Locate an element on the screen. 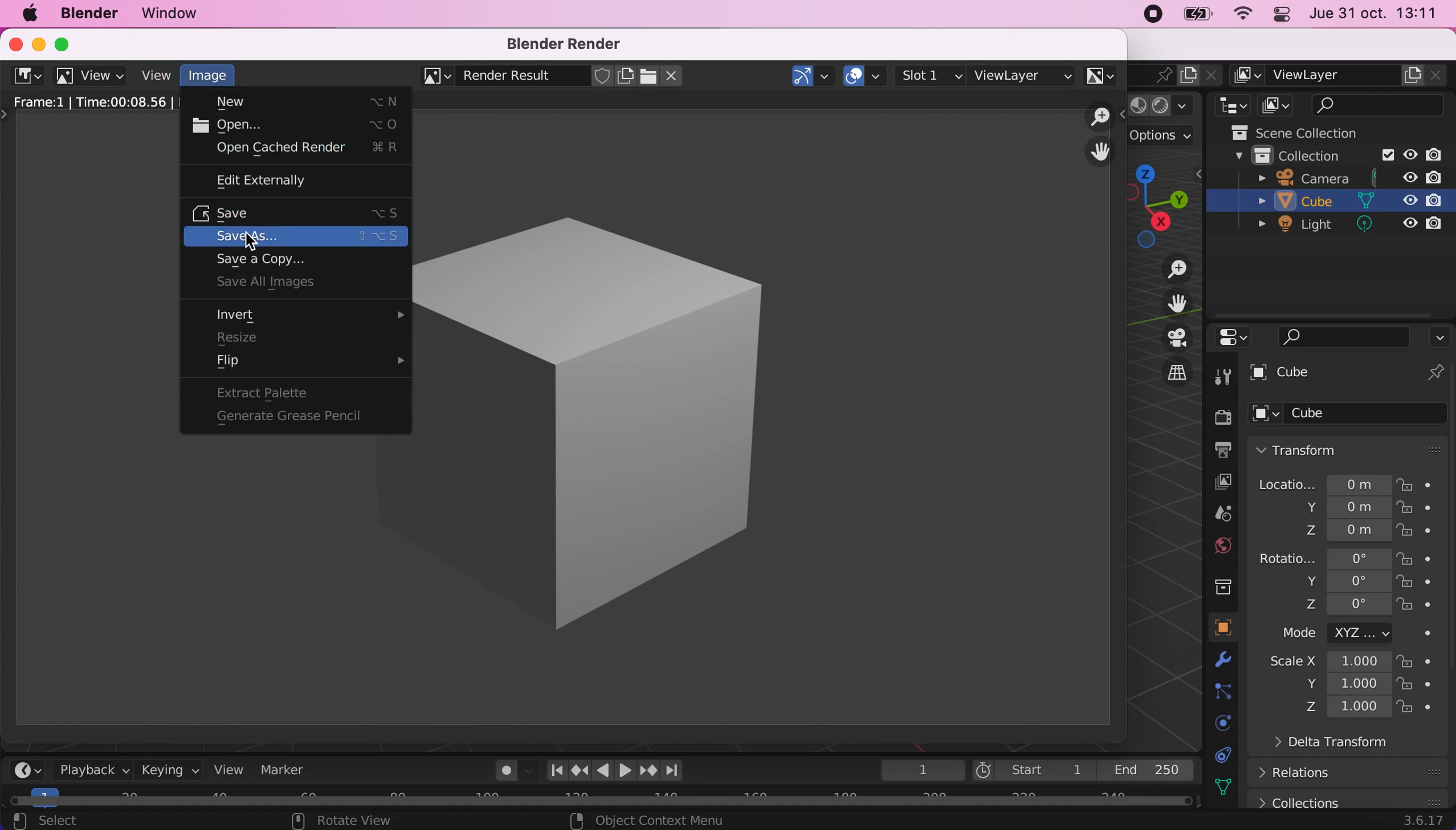  jue 31 oct. 13:11 is located at coordinates (1380, 15).